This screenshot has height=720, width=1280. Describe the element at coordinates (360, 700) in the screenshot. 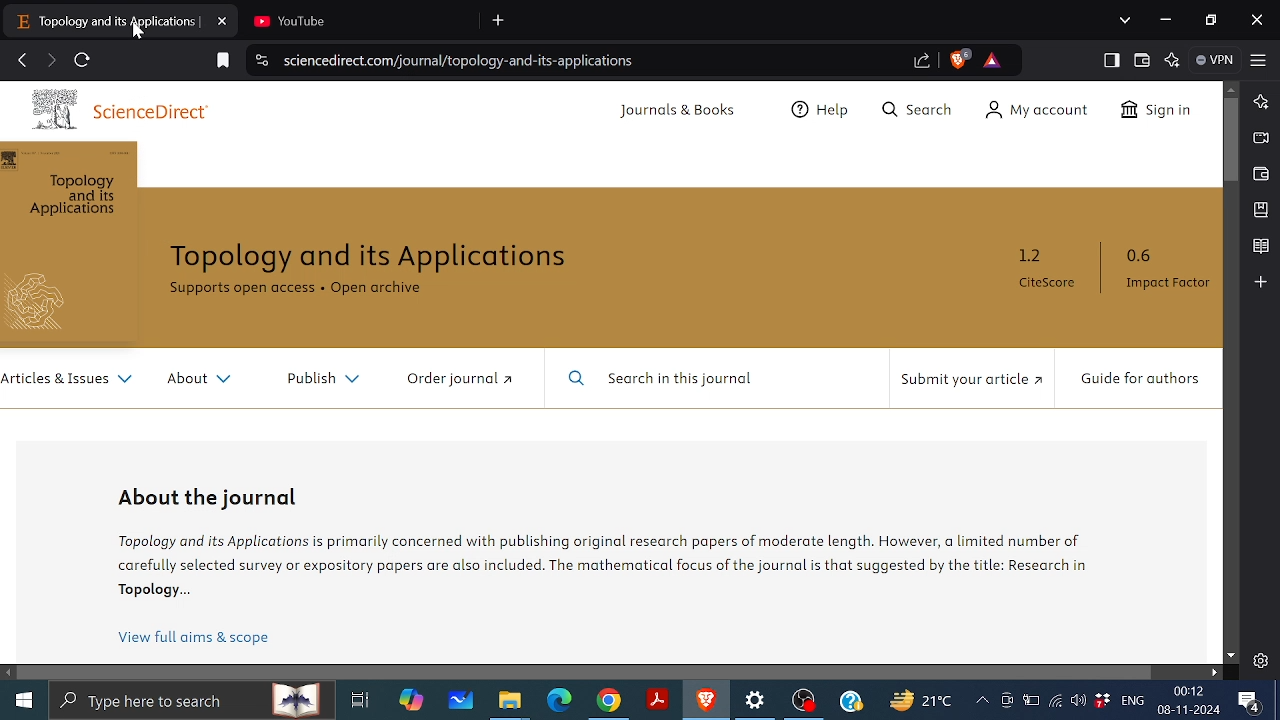

I see `Task view` at that location.